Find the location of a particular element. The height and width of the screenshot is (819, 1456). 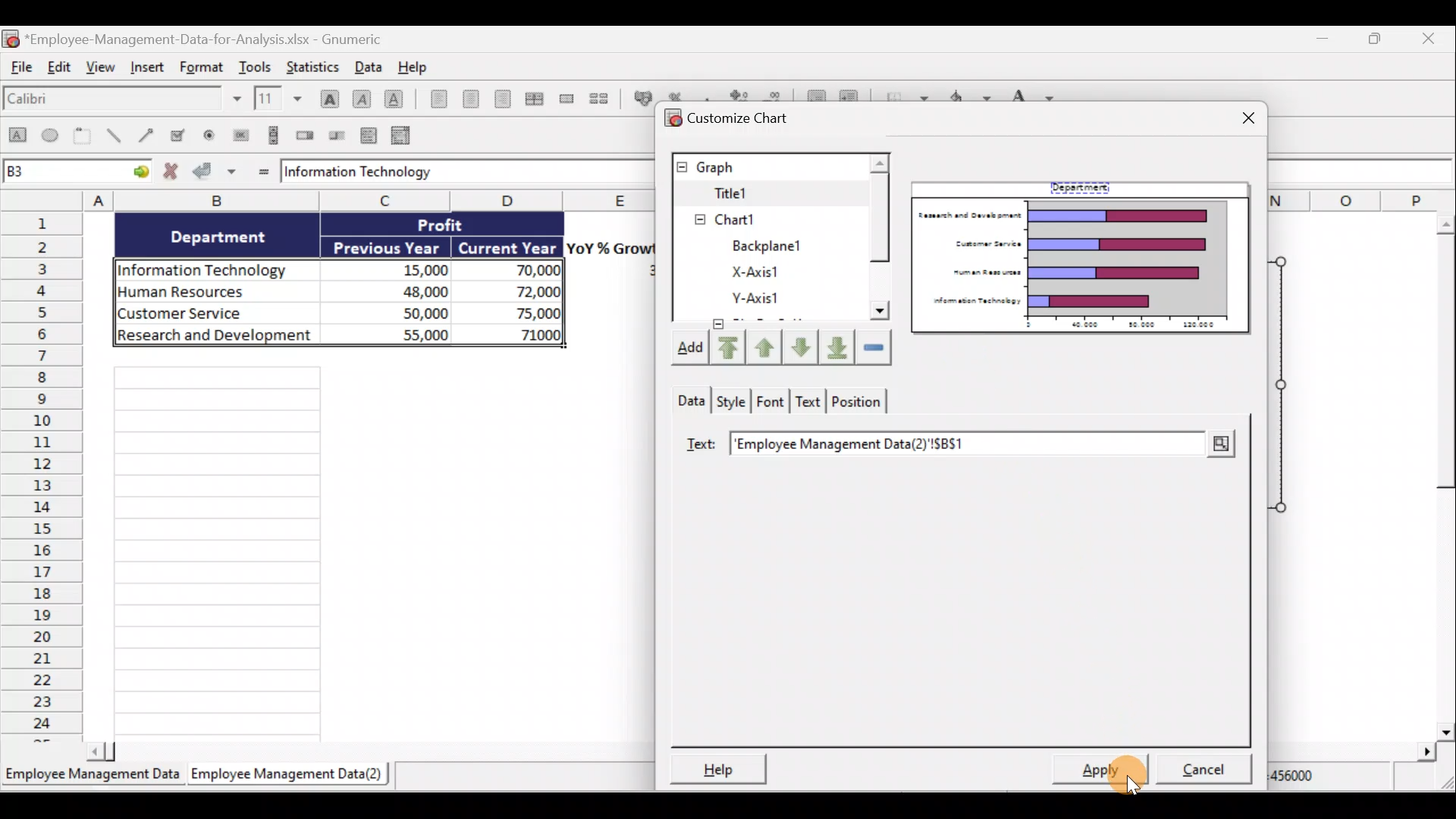

Close is located at coordinates (1239, 115).